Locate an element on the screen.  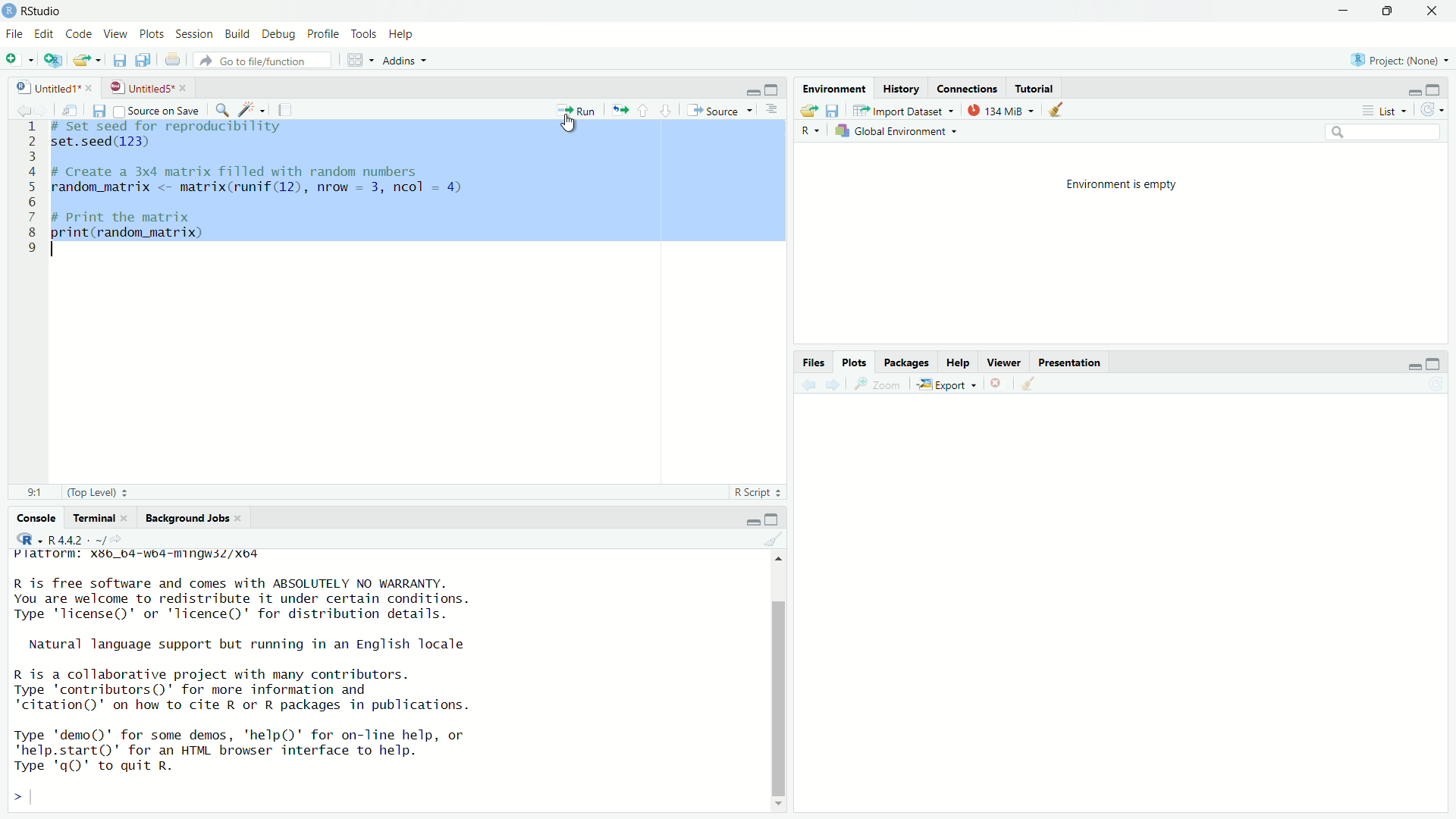
copy is located at coordinates (143, 59).